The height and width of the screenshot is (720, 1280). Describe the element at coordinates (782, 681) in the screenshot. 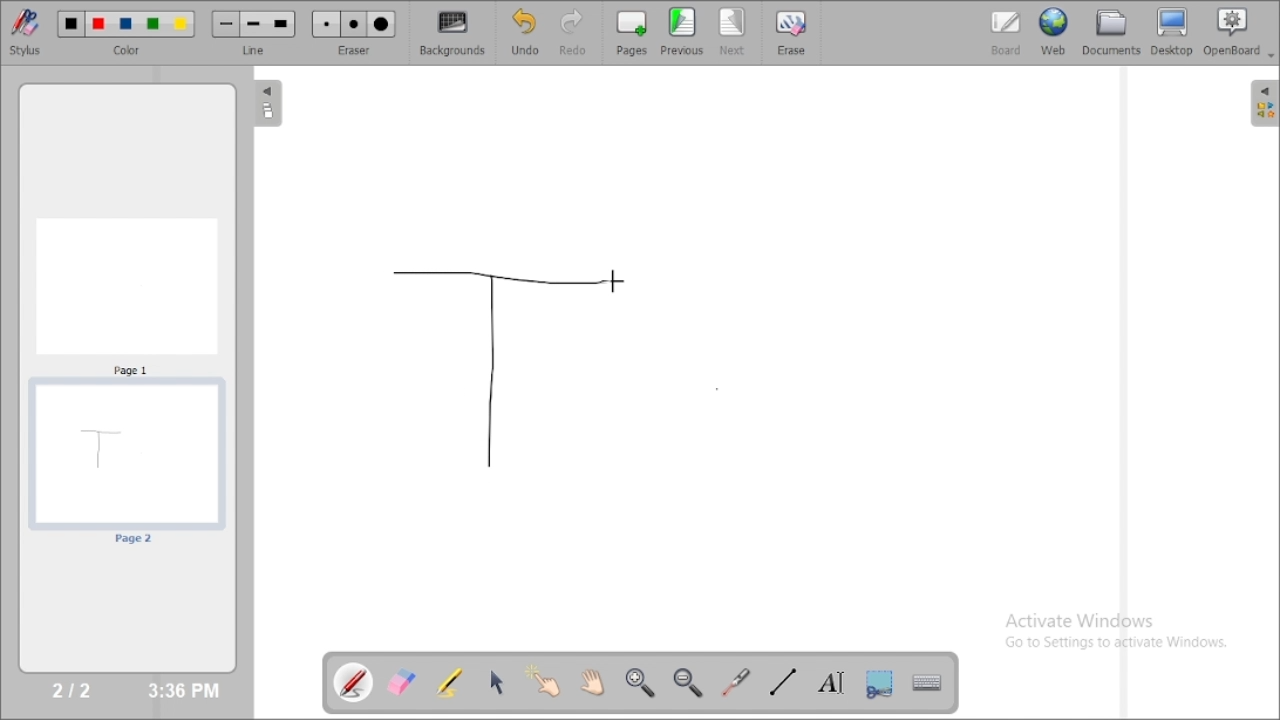

I see `draw lines` at that location.